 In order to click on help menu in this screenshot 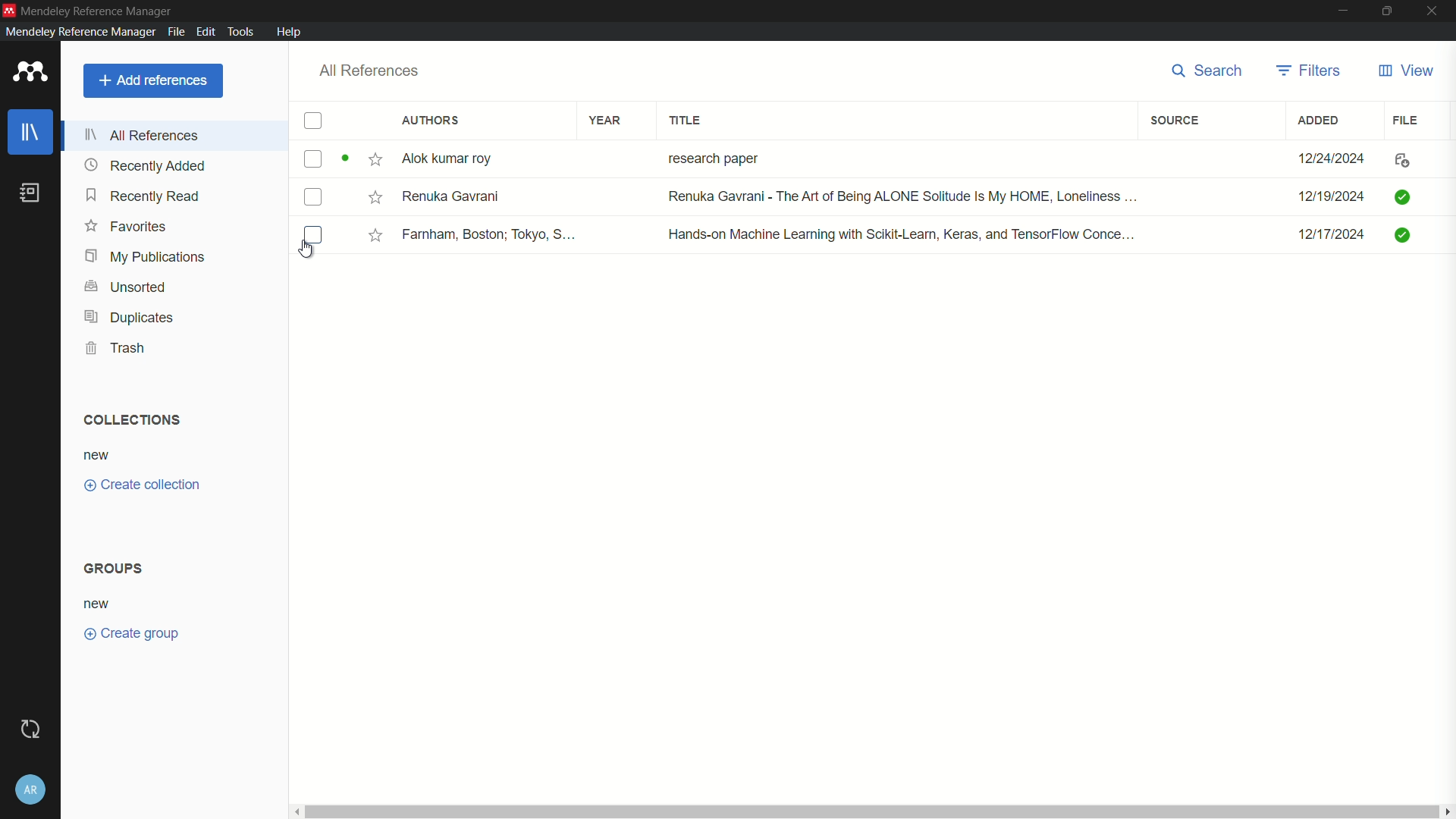, I will do `click(291, 32)`.